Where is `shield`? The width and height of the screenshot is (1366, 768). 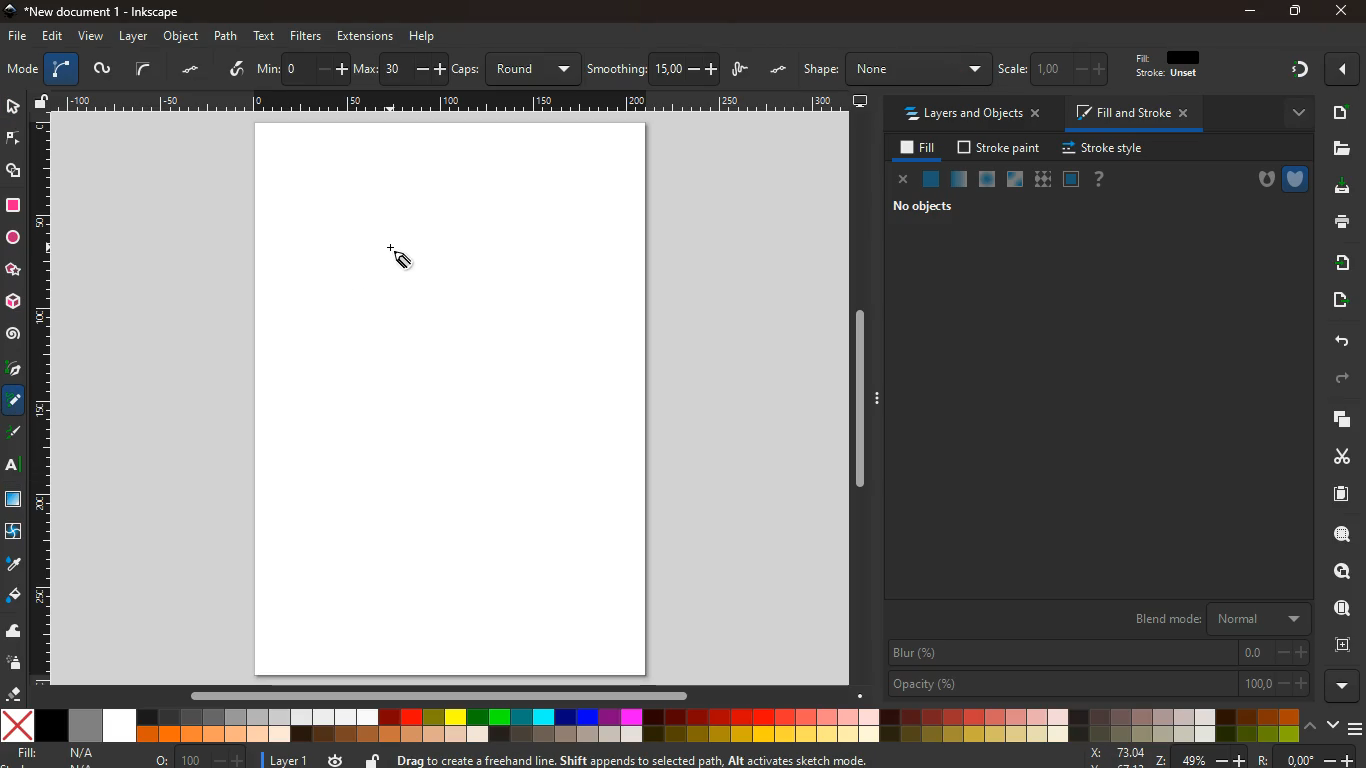 shield is located at coordinates (1297, 179).